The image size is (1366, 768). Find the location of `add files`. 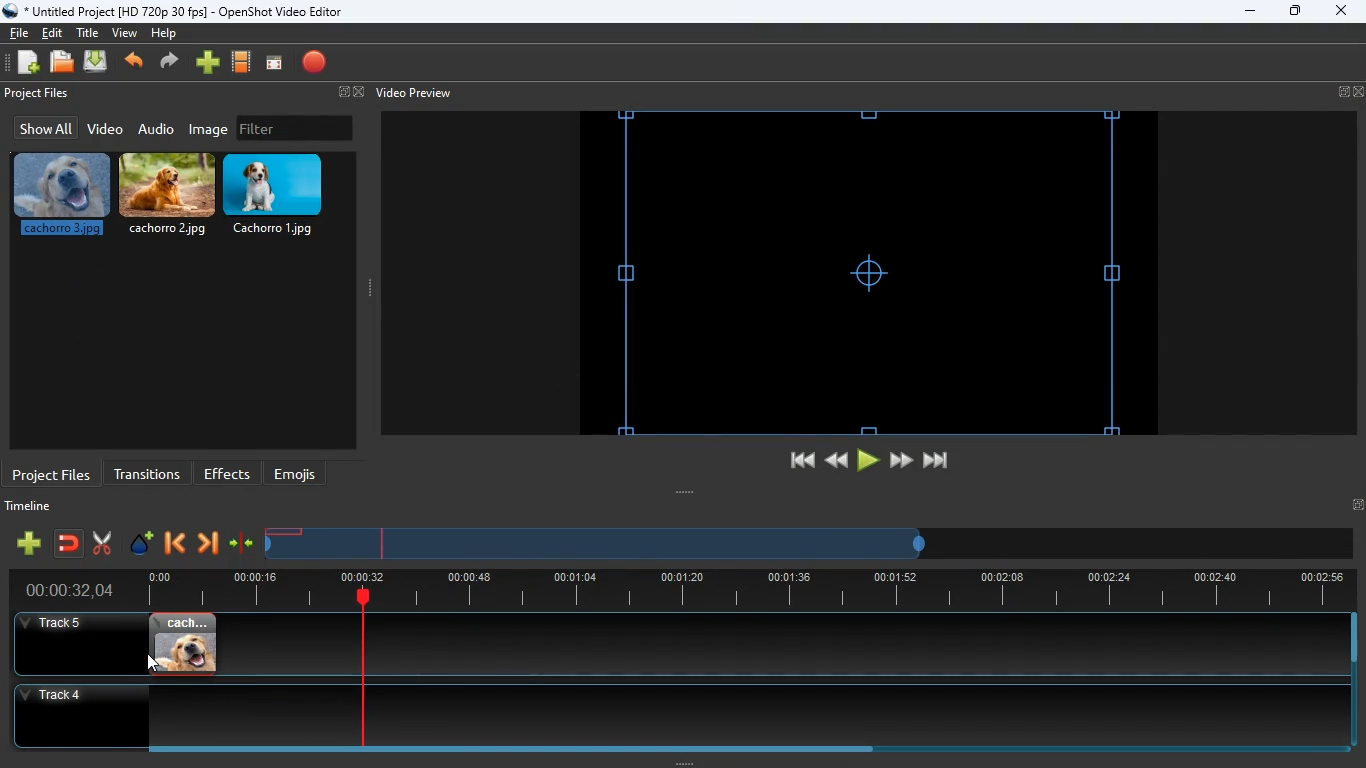

add files is located at coordinates (30, 65).